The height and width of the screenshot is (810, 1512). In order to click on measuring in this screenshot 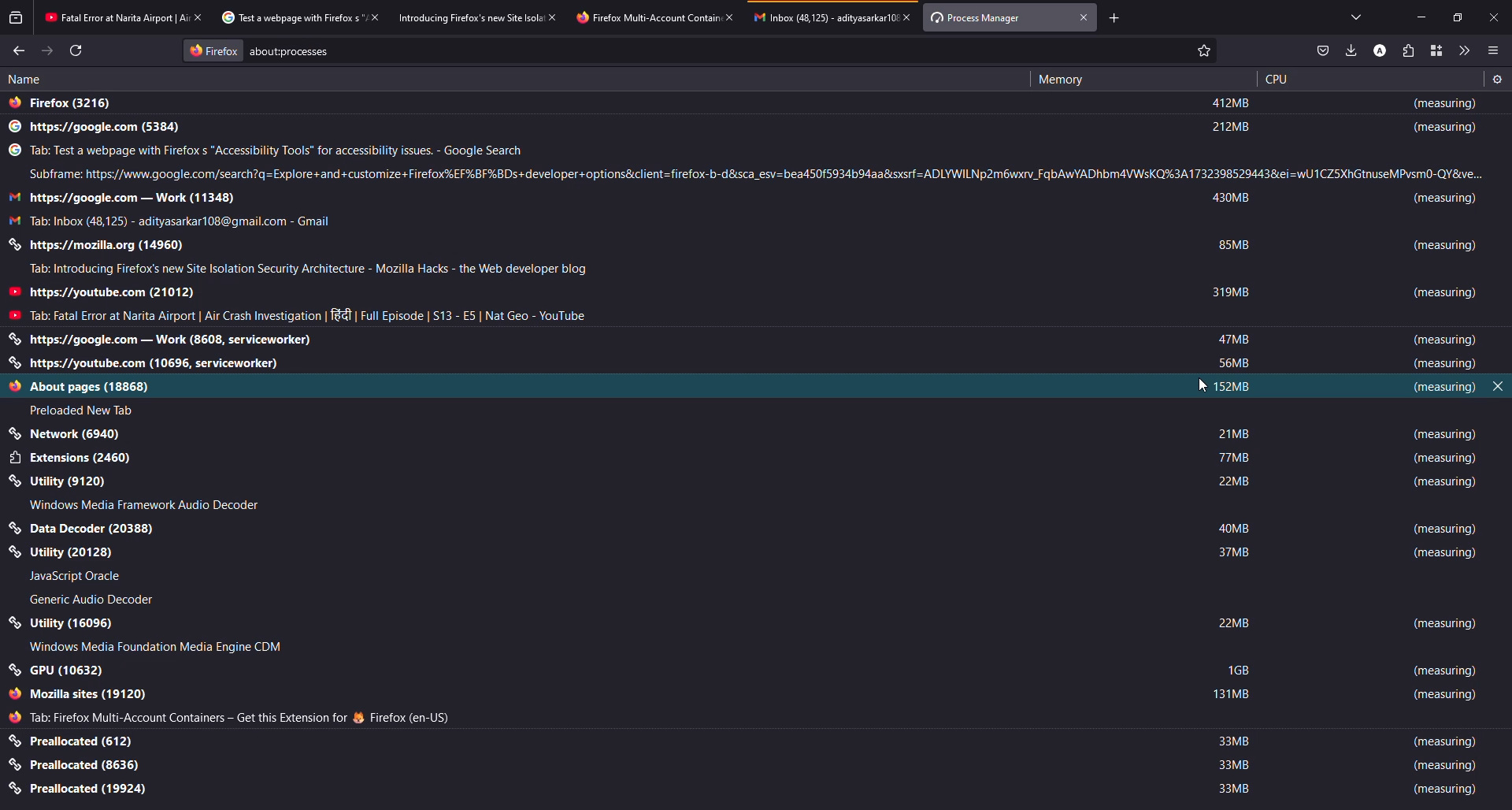, I will do `click(1445, 128)`.